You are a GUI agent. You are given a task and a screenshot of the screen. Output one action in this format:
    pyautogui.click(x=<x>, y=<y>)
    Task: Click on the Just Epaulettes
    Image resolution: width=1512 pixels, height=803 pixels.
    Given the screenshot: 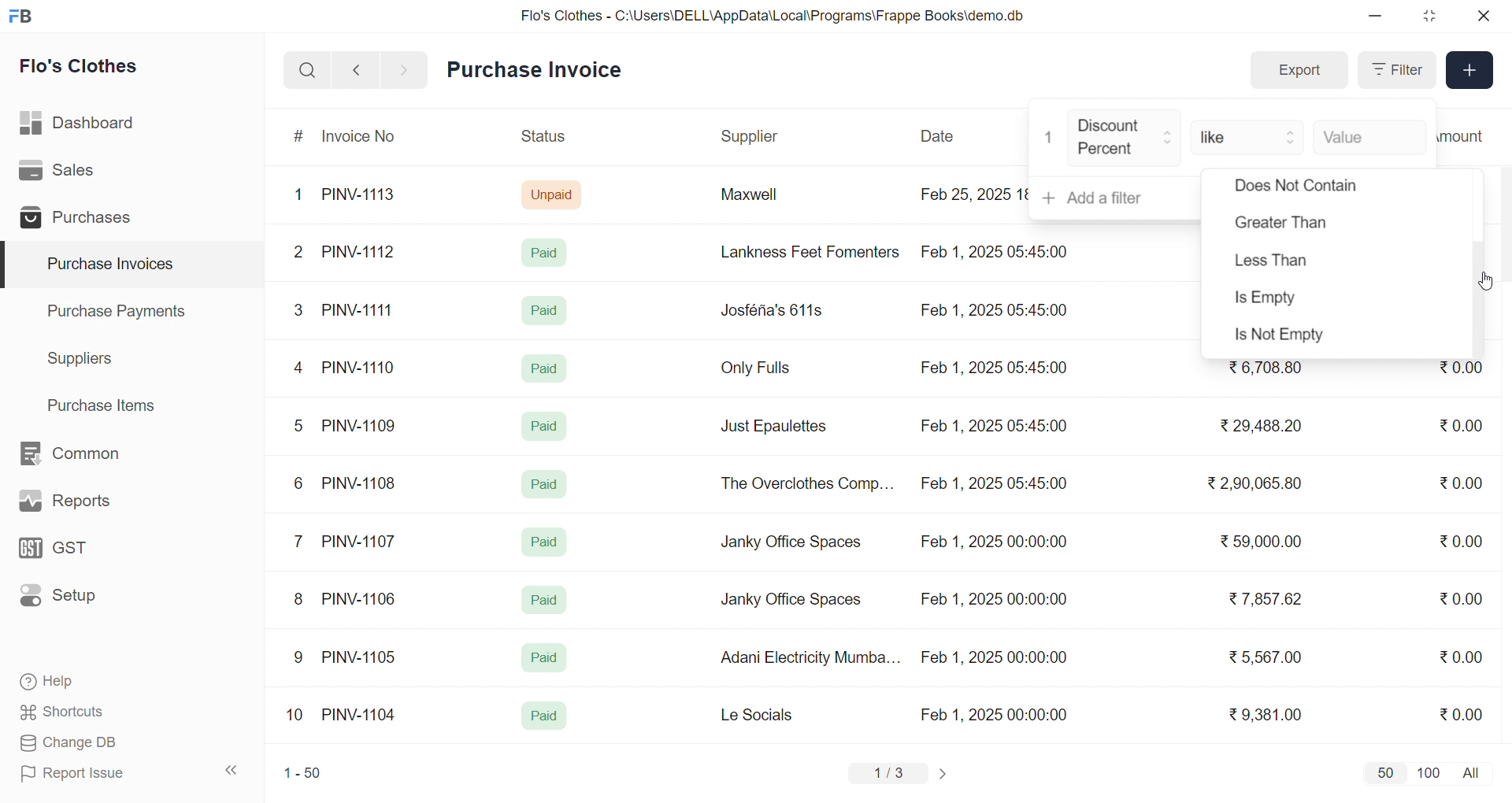 What is the action you would take?
    pyautogui.click(x=780, y=427)
    